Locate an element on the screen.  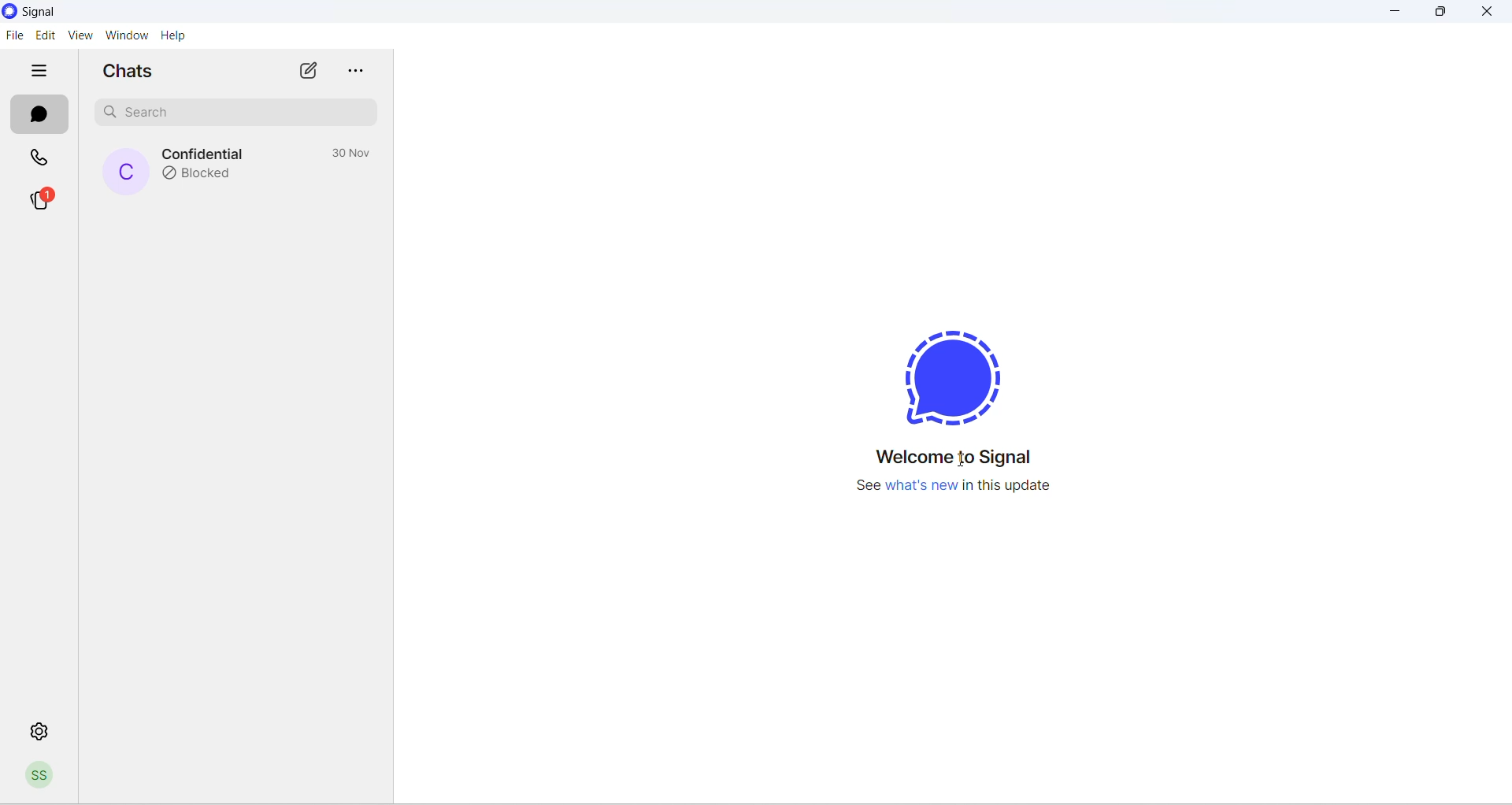
signal logo is located at coordinates (962, 372).